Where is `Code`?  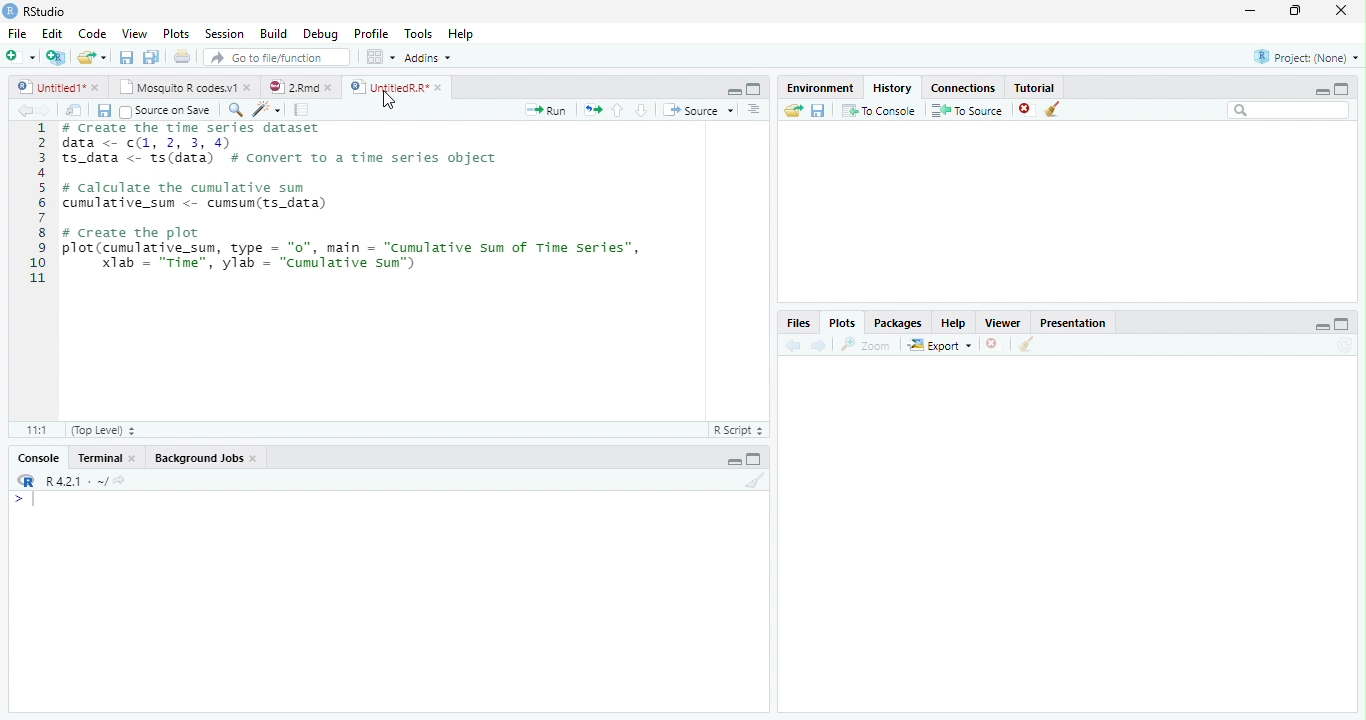 Code is located at coordinates (95, 35).